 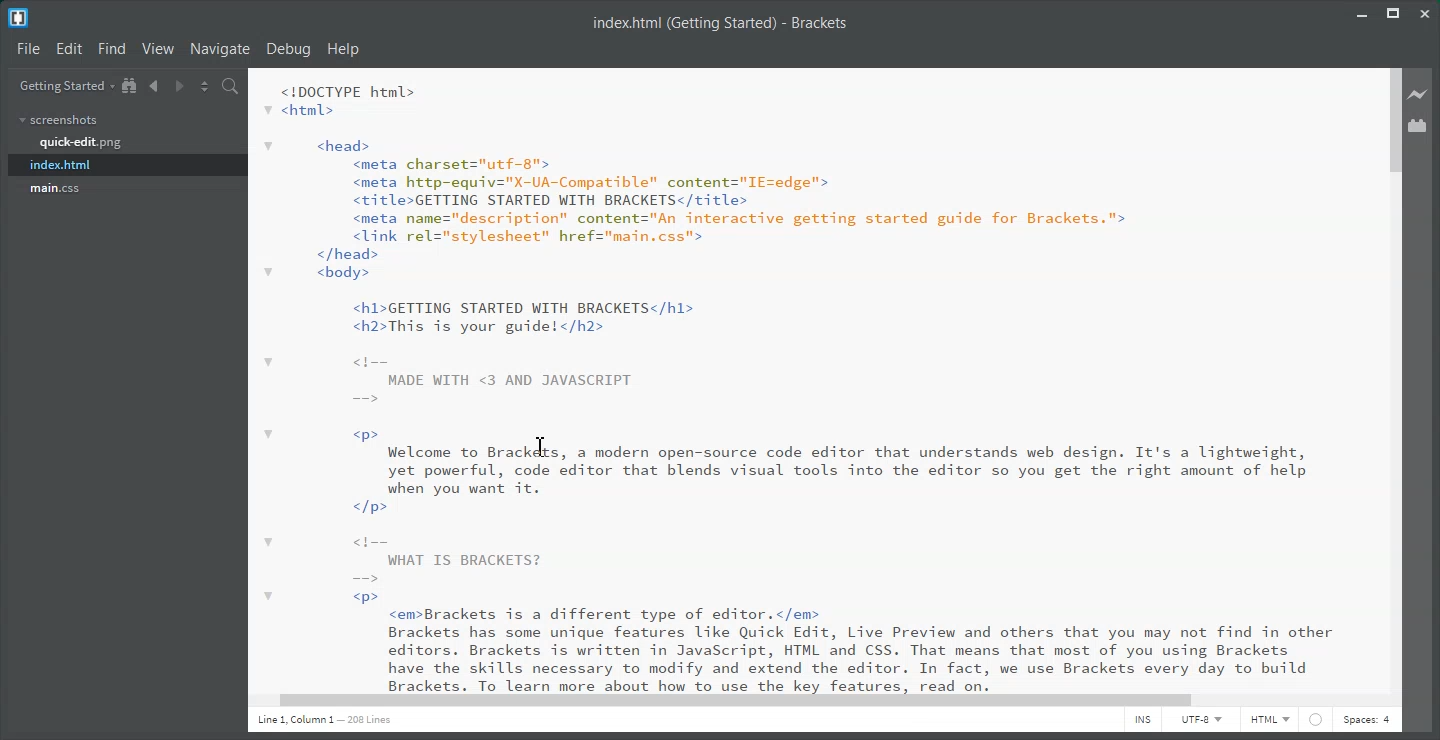 What do you see at coordinates (65, 86) in the screenshot?
I see `Getting Started` at bounding box center [65, 86].